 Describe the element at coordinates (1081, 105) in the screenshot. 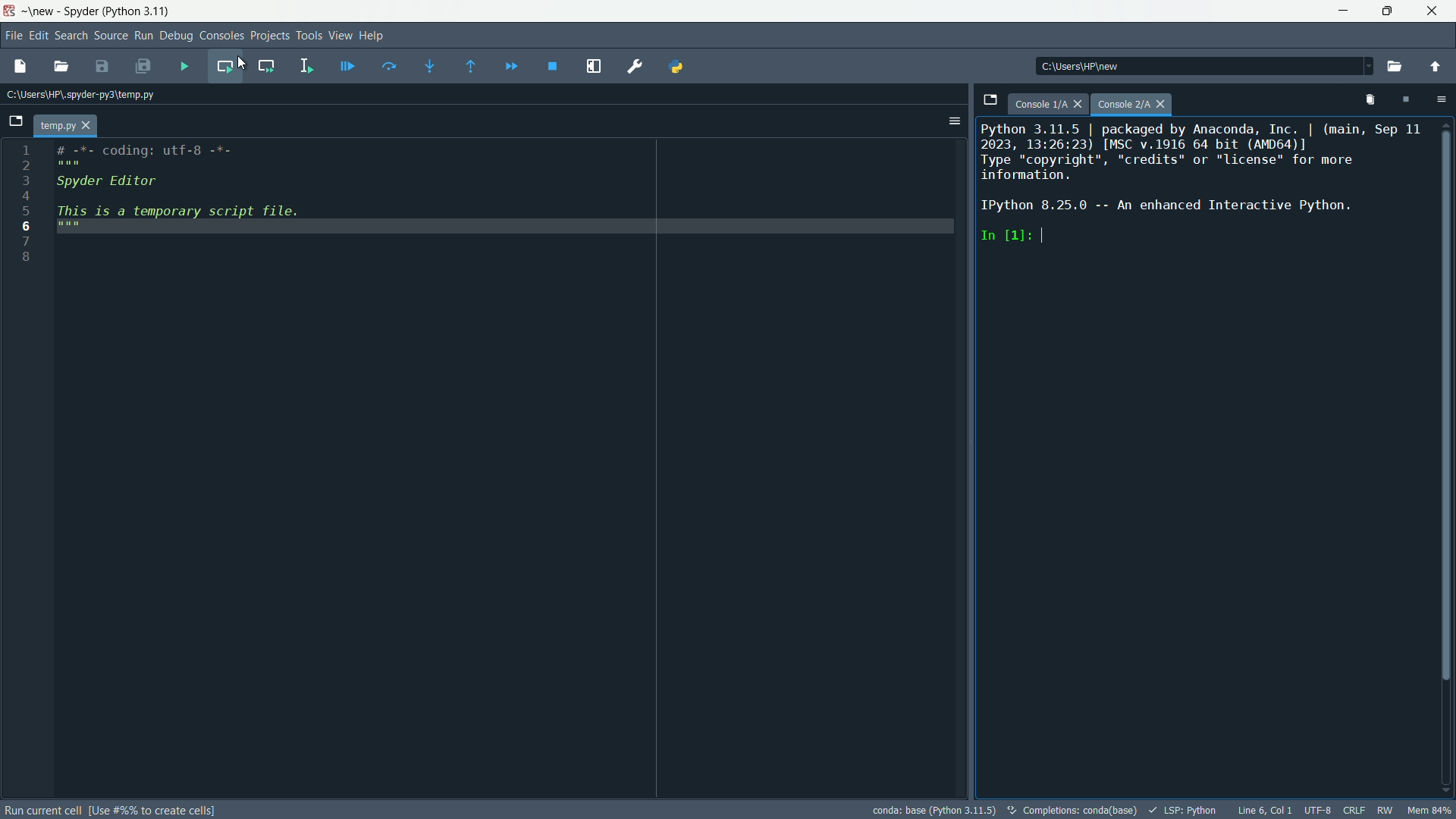

I see `close` at that location.